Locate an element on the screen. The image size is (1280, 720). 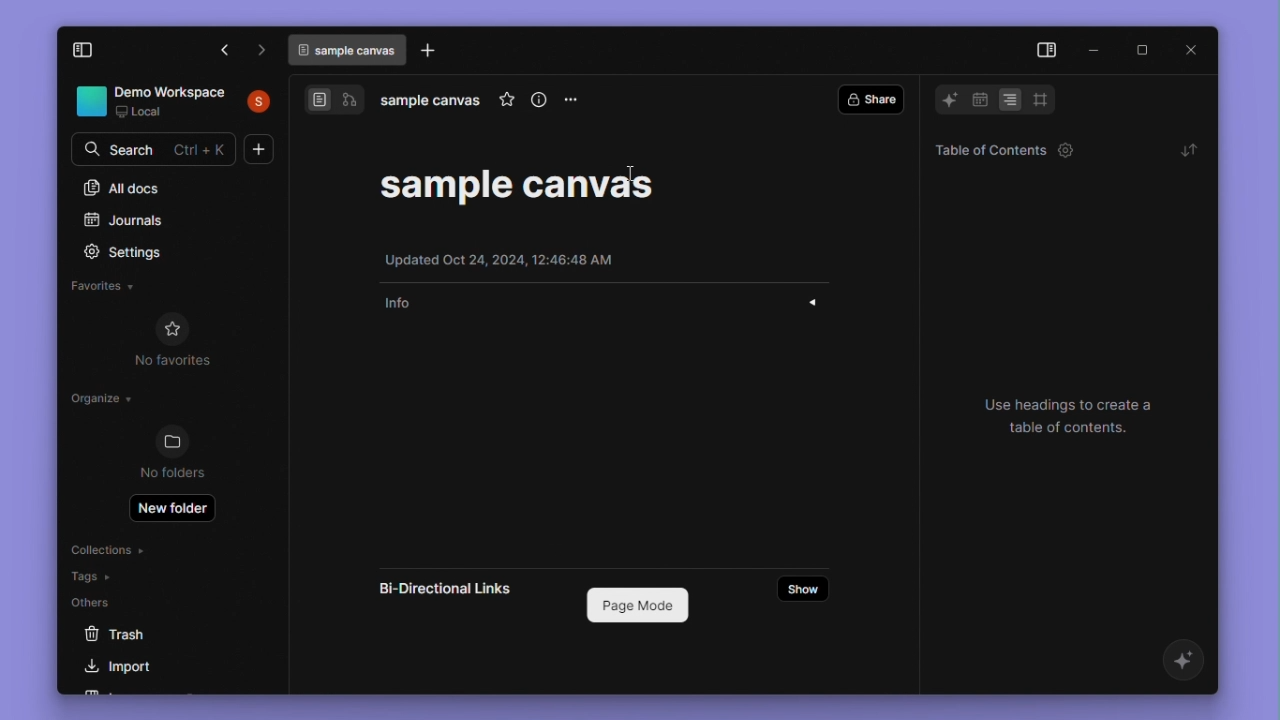
Collections is located at coordinates (107, 548).